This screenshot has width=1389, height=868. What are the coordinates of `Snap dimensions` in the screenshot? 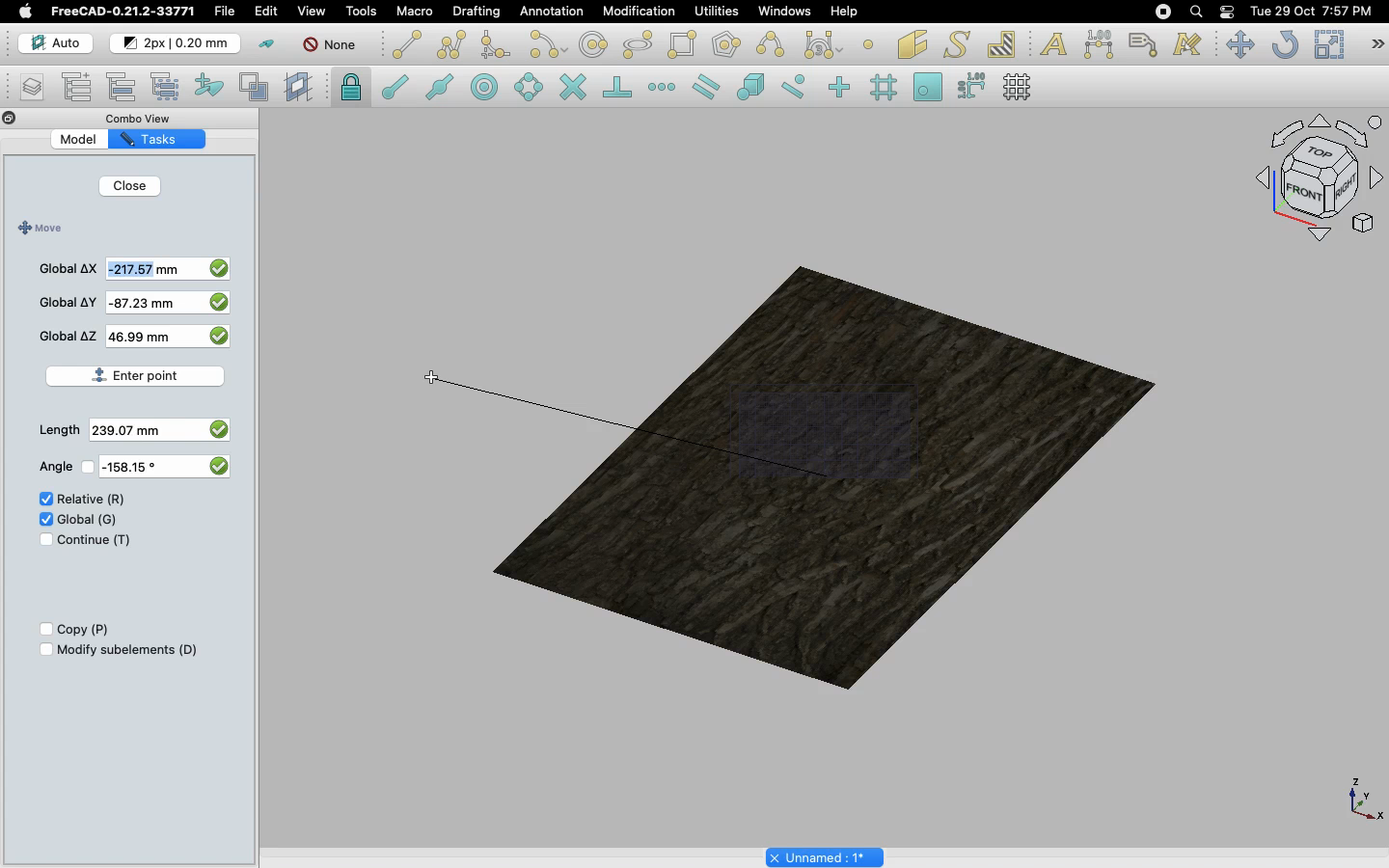 It's located at (972, 87).